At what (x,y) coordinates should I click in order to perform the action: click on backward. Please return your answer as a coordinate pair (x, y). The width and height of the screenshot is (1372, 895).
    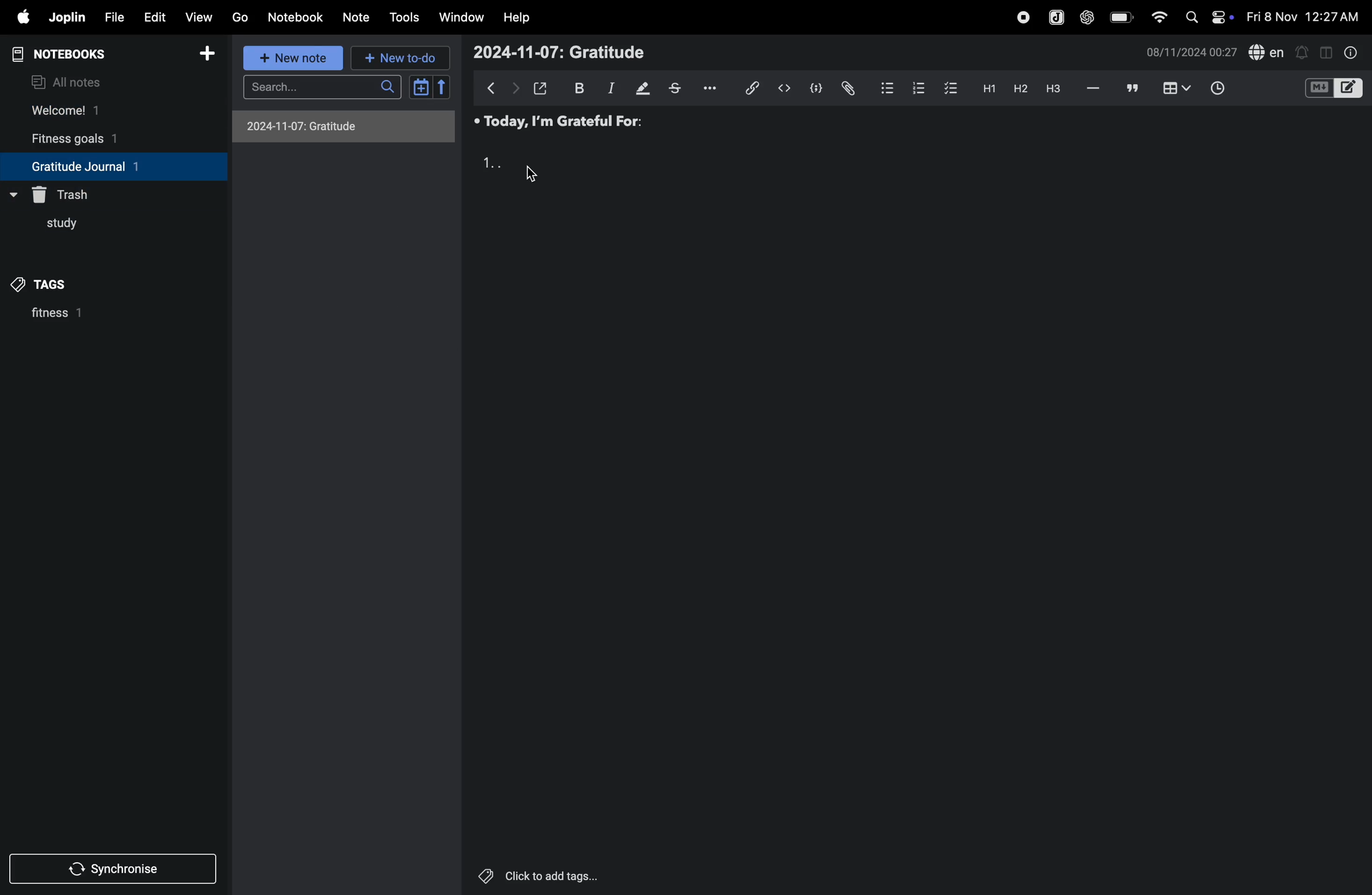
    Looking at the image, I should click on (492, 88).